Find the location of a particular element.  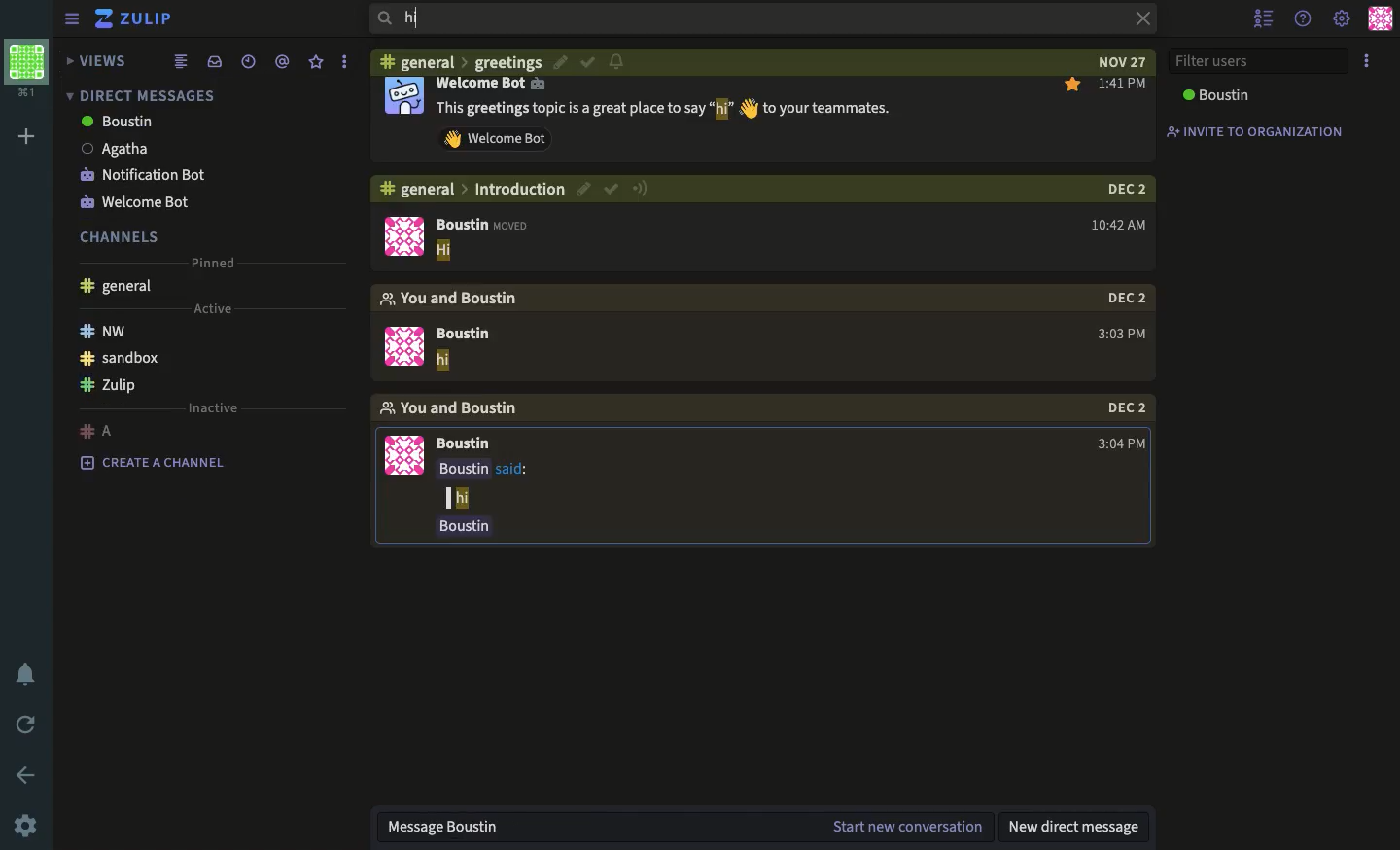

10:42 AM is located at coordinates (1115, 223).